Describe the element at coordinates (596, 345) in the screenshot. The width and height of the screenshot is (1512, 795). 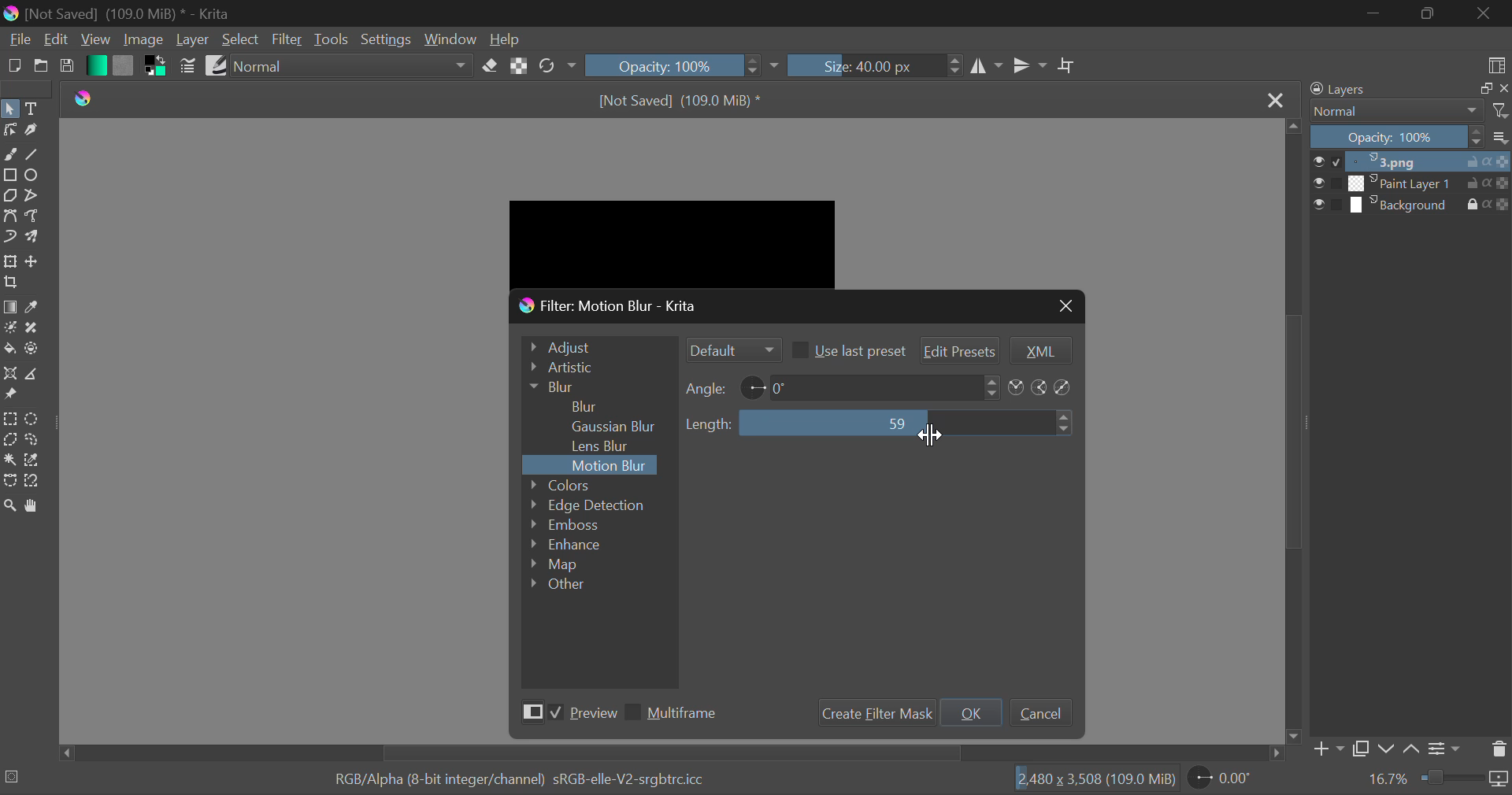
I see `Adjust` at that location.